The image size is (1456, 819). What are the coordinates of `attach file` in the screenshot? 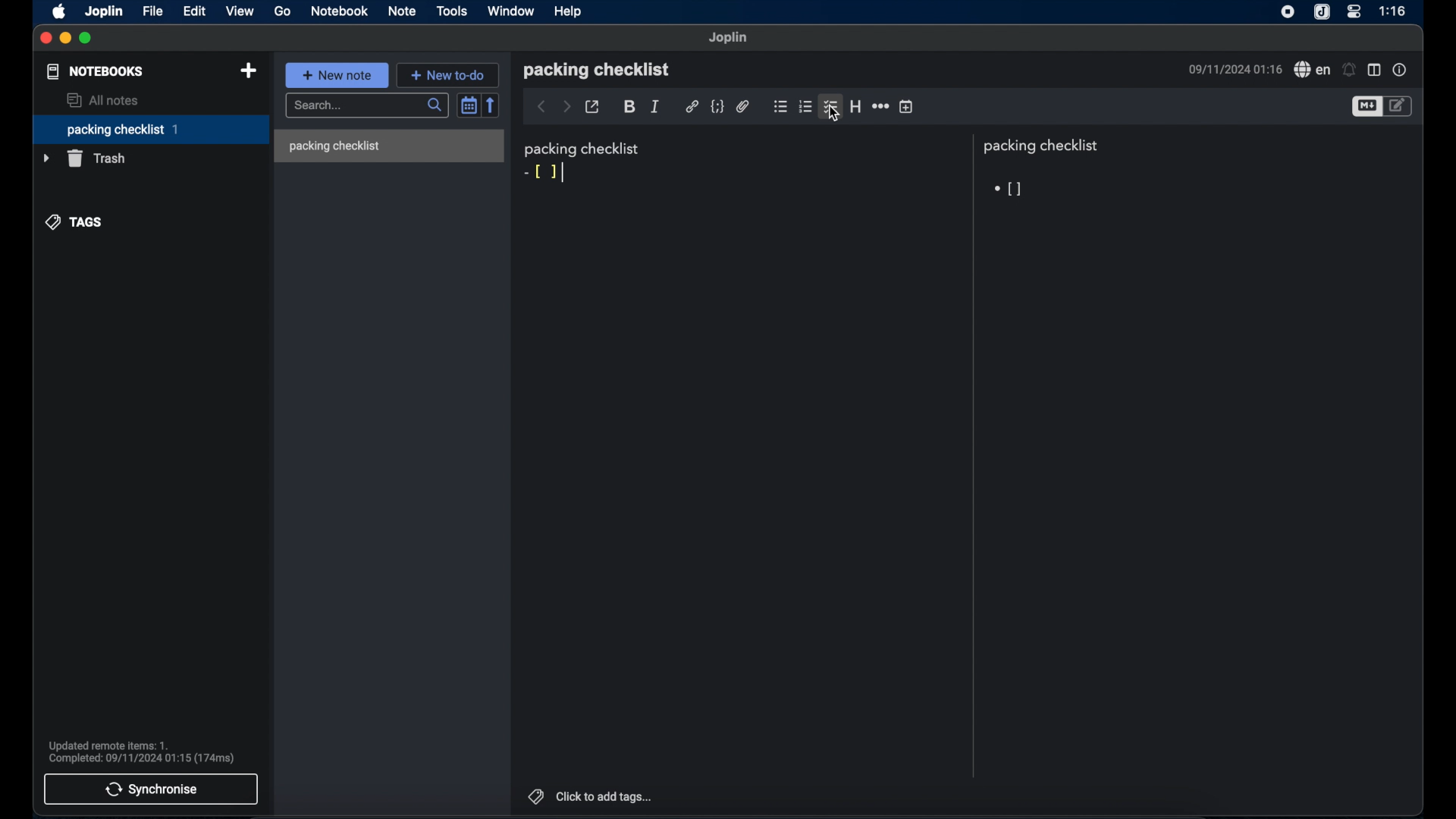 It's located at (742, 106).